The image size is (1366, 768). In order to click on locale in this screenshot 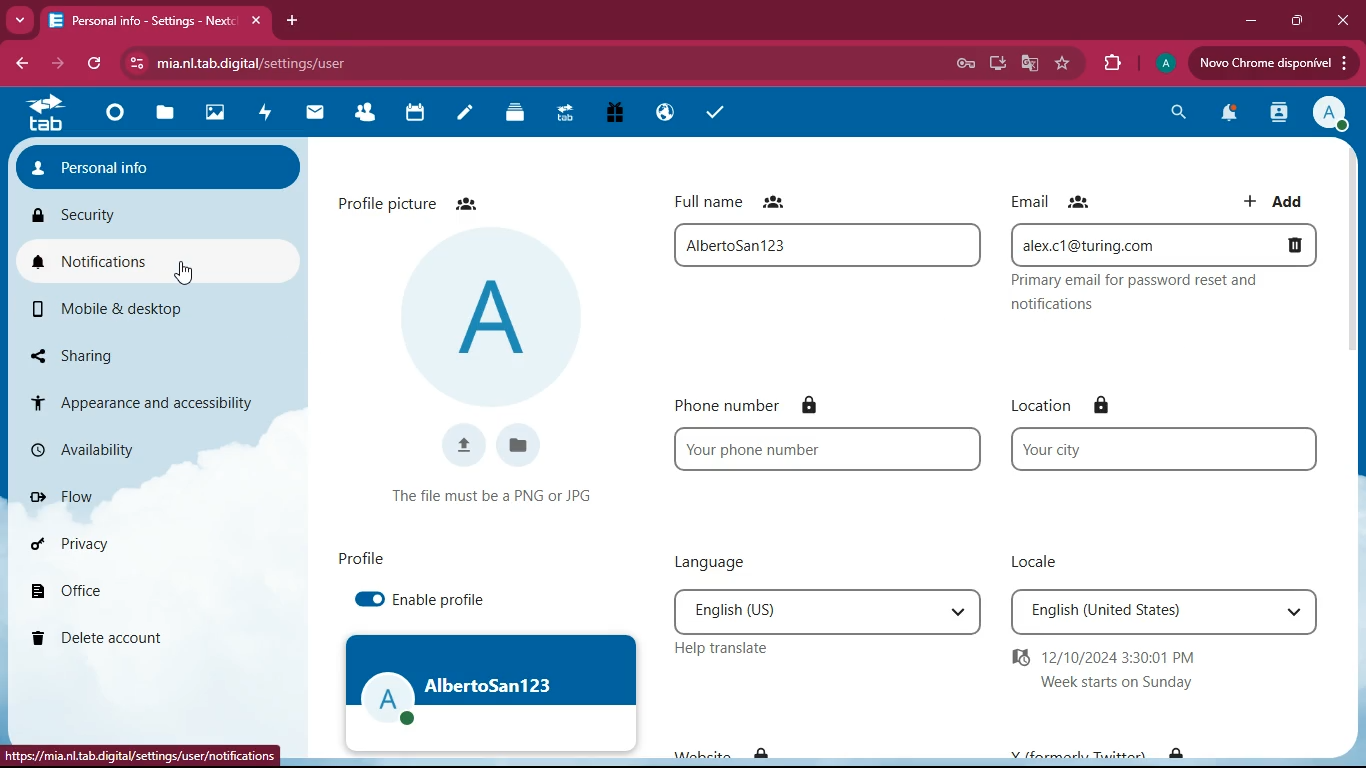, I will do `click(1042, 565)`.